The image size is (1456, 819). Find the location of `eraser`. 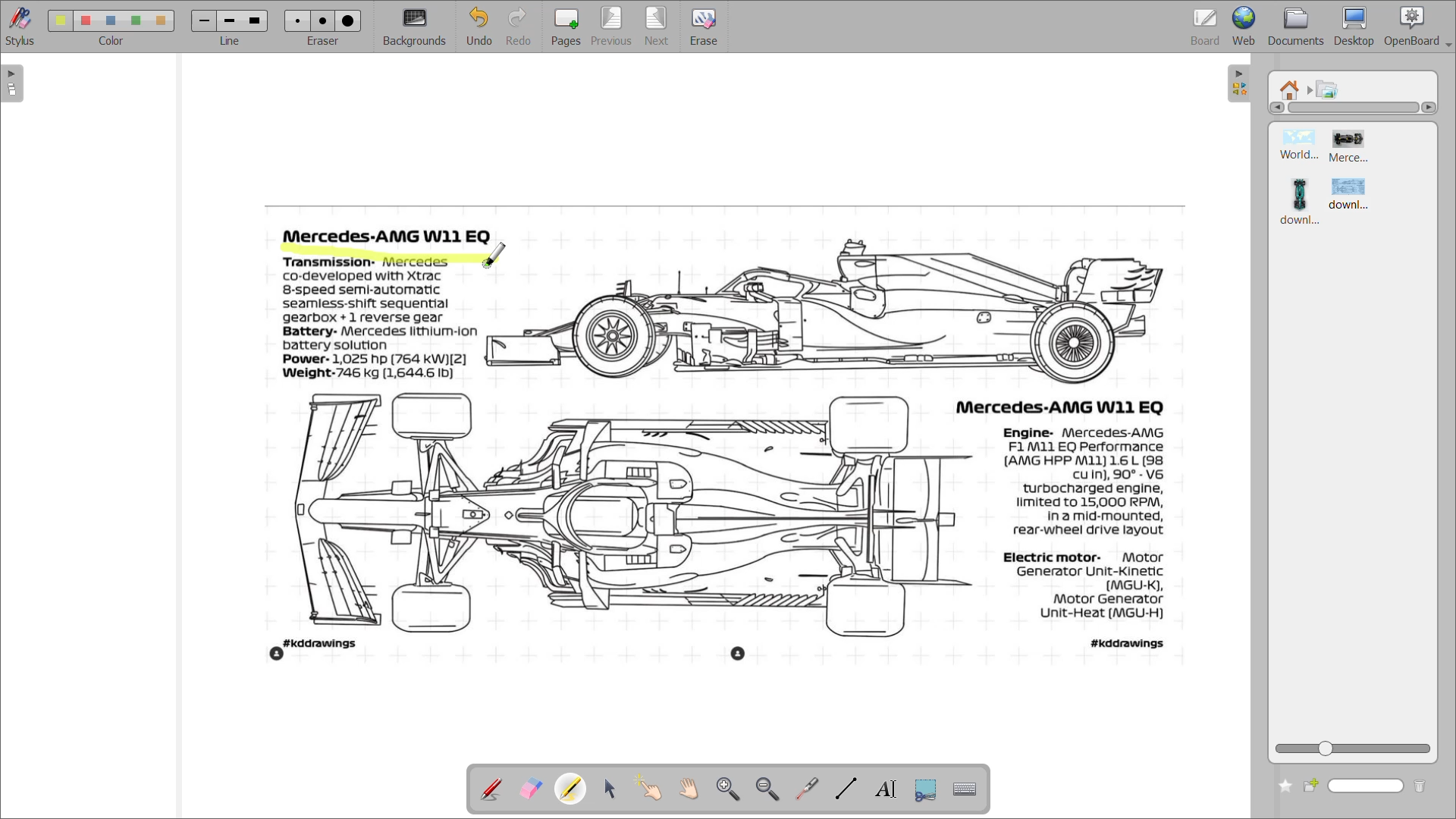

eraser is located at coordinates (324, 42).